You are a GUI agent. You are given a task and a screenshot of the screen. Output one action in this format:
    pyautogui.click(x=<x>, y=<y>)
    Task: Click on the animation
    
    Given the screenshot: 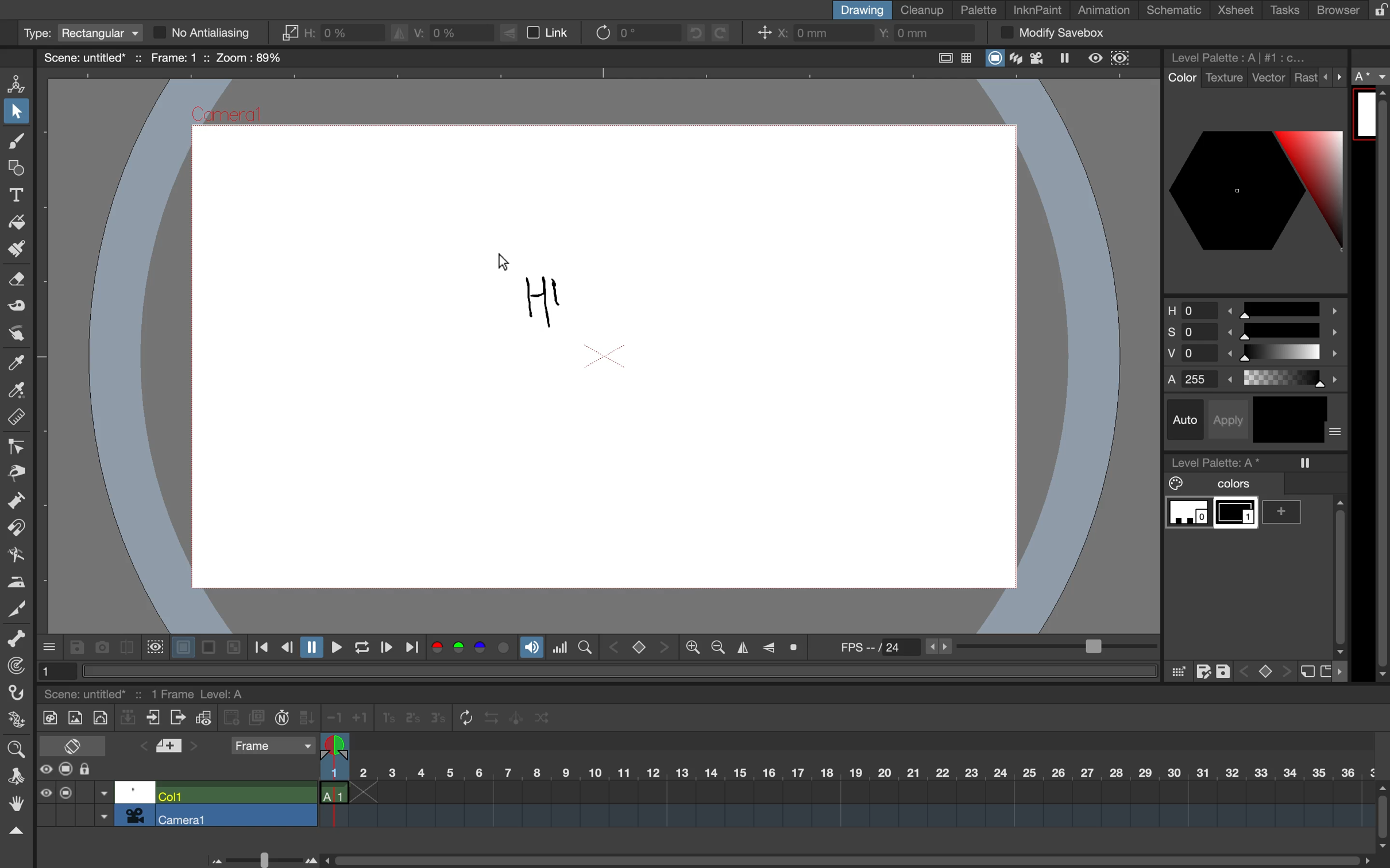 What is the action you would take?
    pyautogui.click(x=1109, y=11)
    